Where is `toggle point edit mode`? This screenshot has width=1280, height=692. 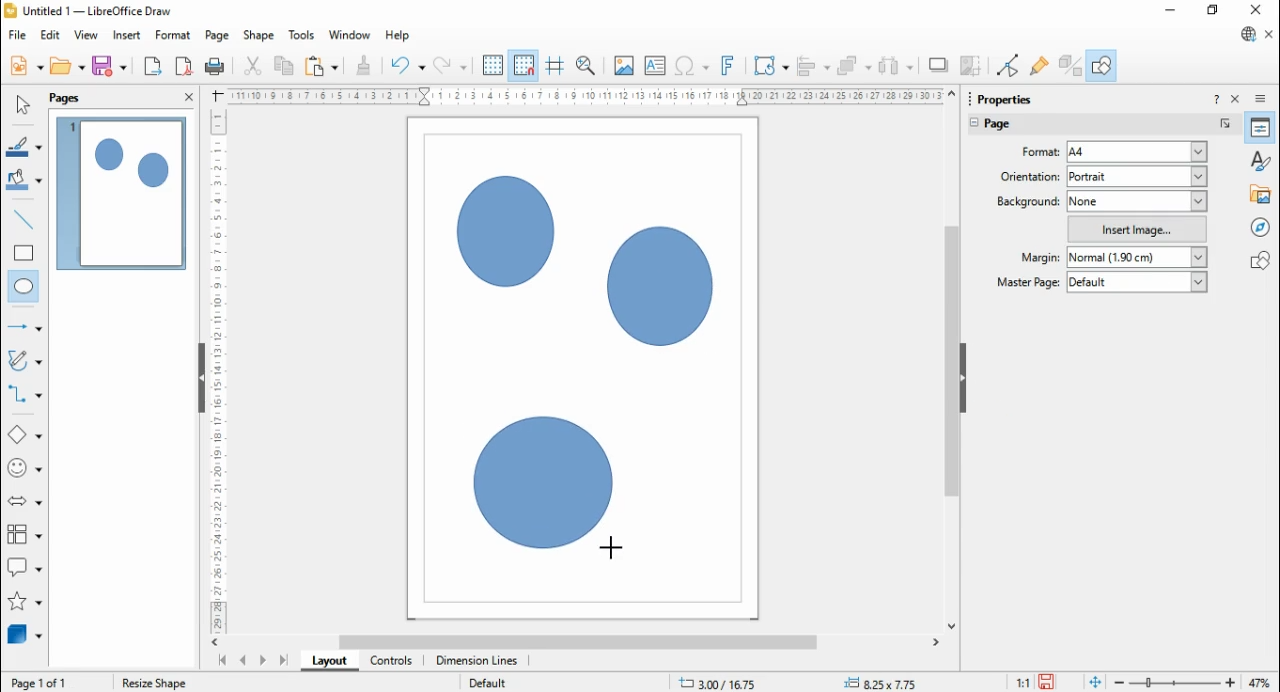 toggle point edit mode is located at coordinates (1010, 65).